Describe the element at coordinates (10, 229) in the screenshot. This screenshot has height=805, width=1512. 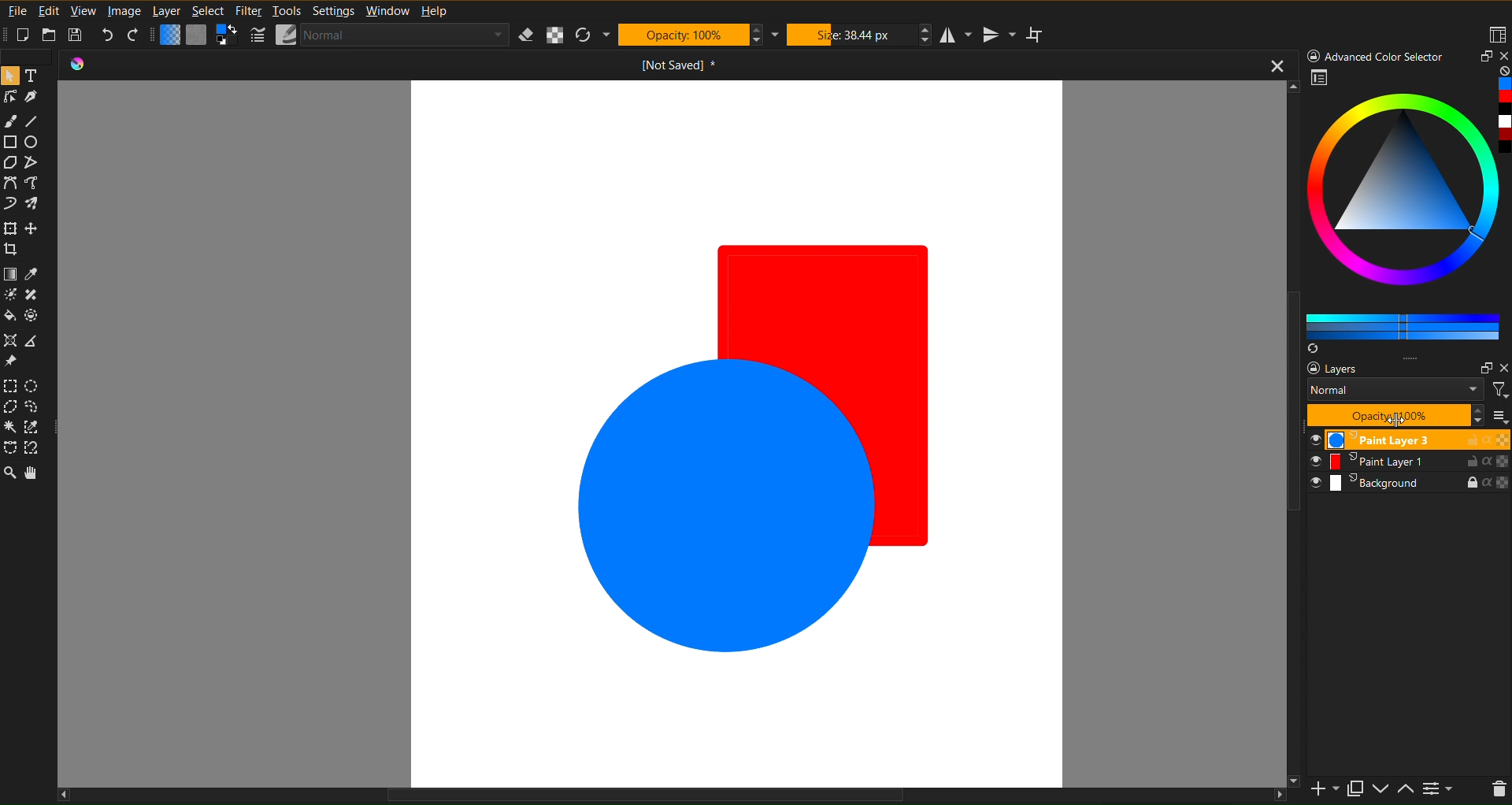
I see `Move Tools` at that location.